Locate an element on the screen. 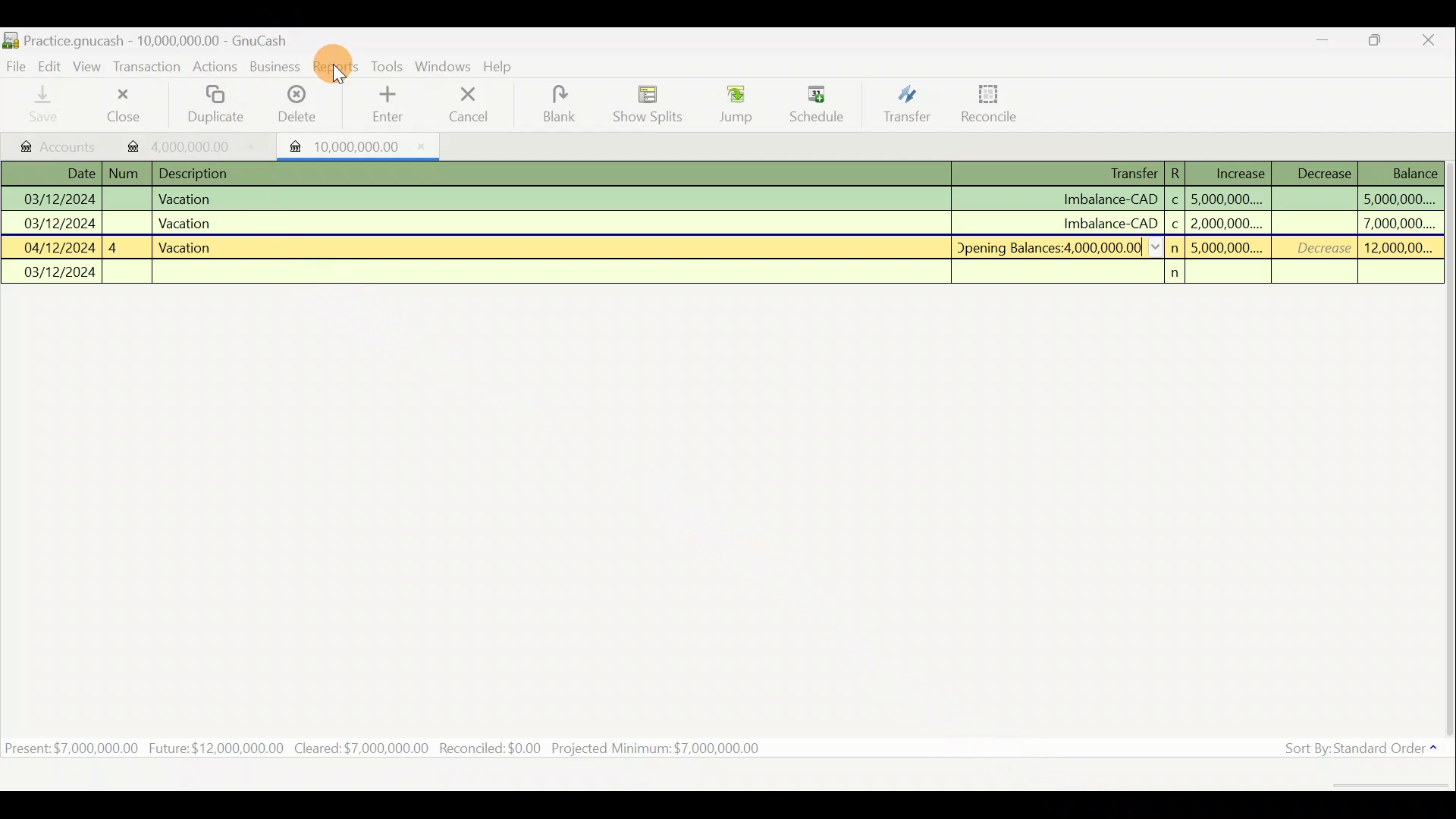  03/12/2024 is located at coordinates (61, 273).